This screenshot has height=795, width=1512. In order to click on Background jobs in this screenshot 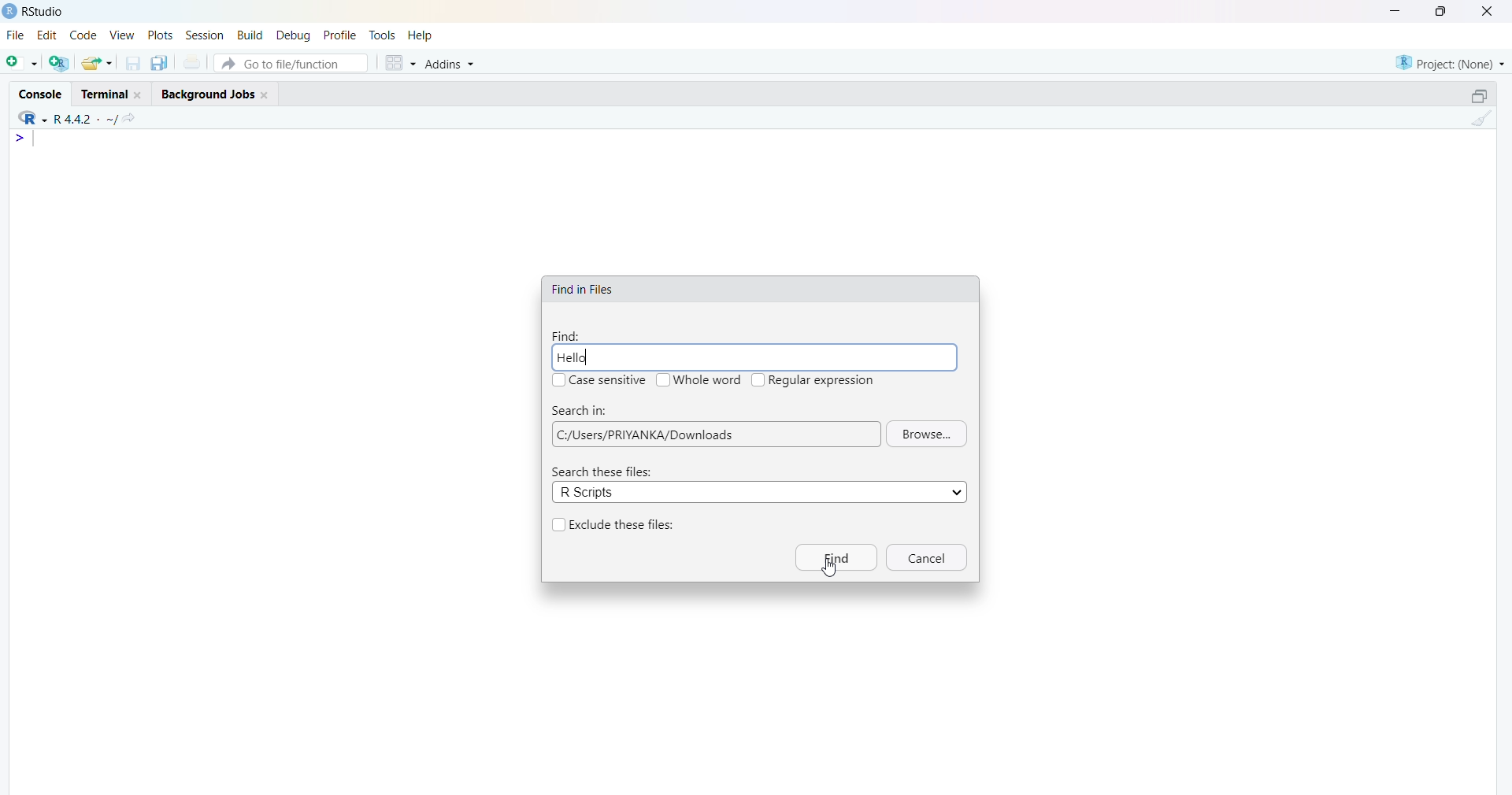, I will do `click(207, 96)`.